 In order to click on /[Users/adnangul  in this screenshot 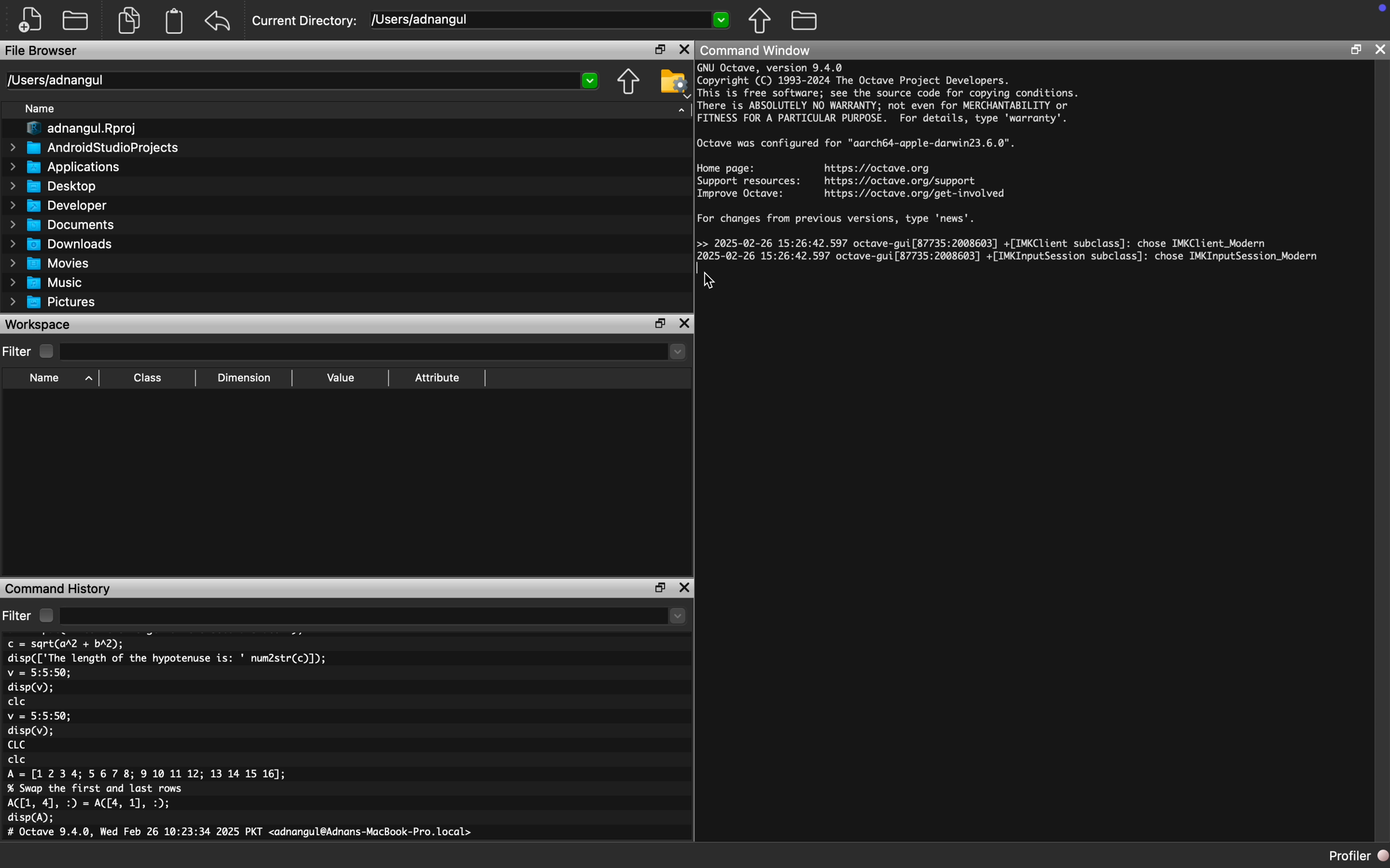, I will do `click(302, 80)`.